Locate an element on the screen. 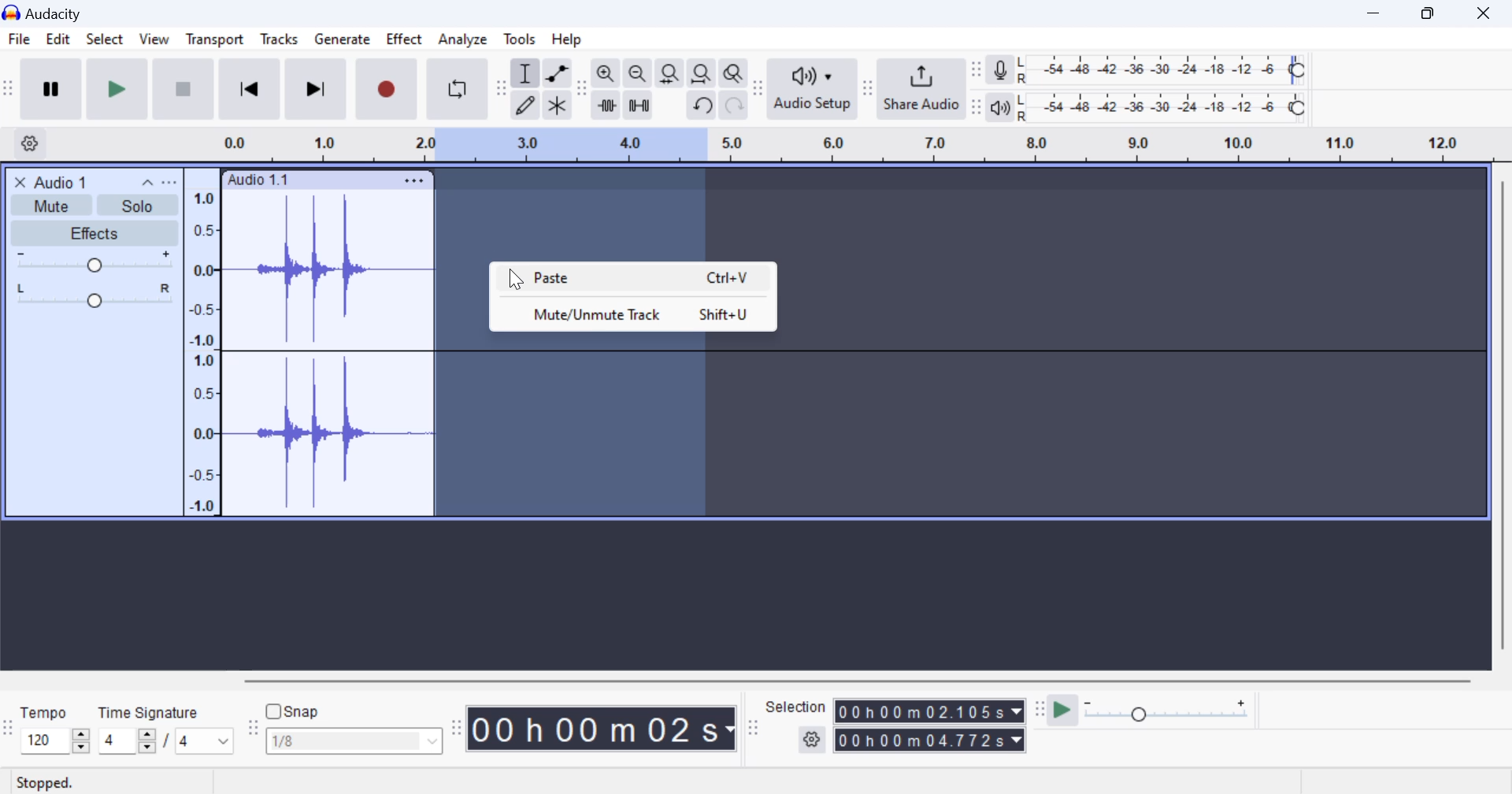 The image size is (1512, 794). Recording Level is located at coordinates (1162, 70).